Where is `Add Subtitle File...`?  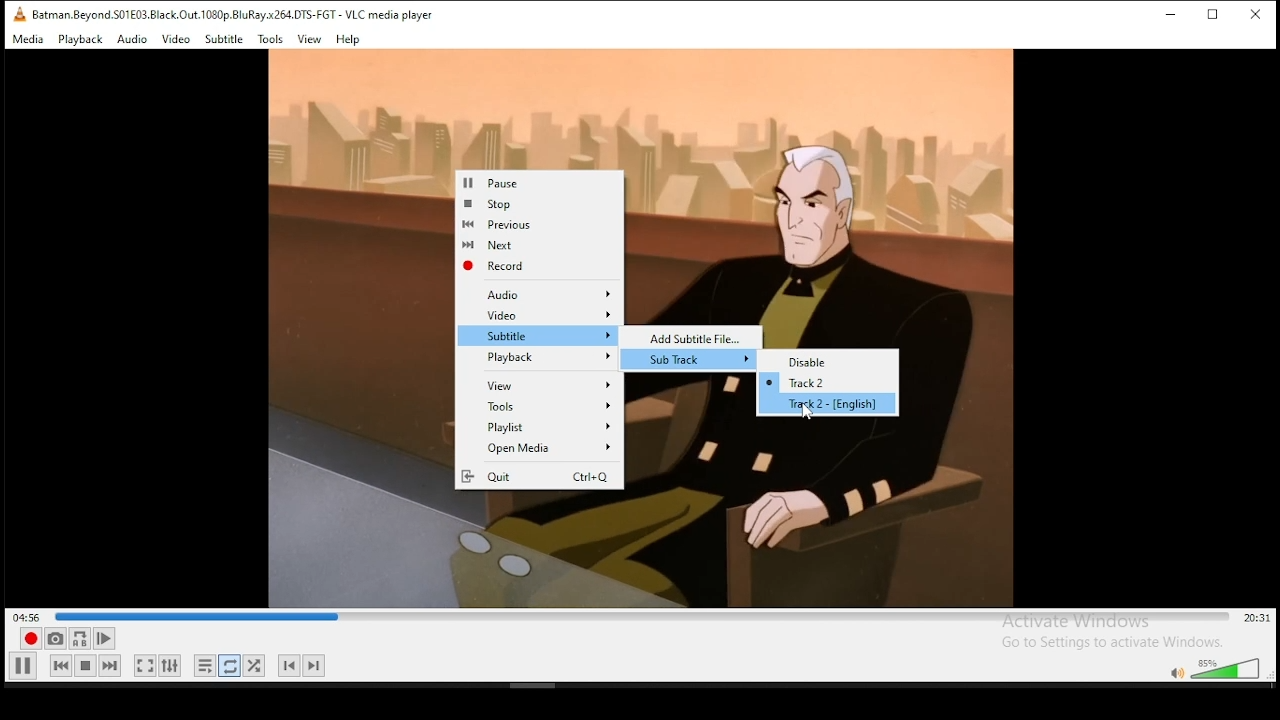 Add Subtitle File... is located at coordinates (698, 337).